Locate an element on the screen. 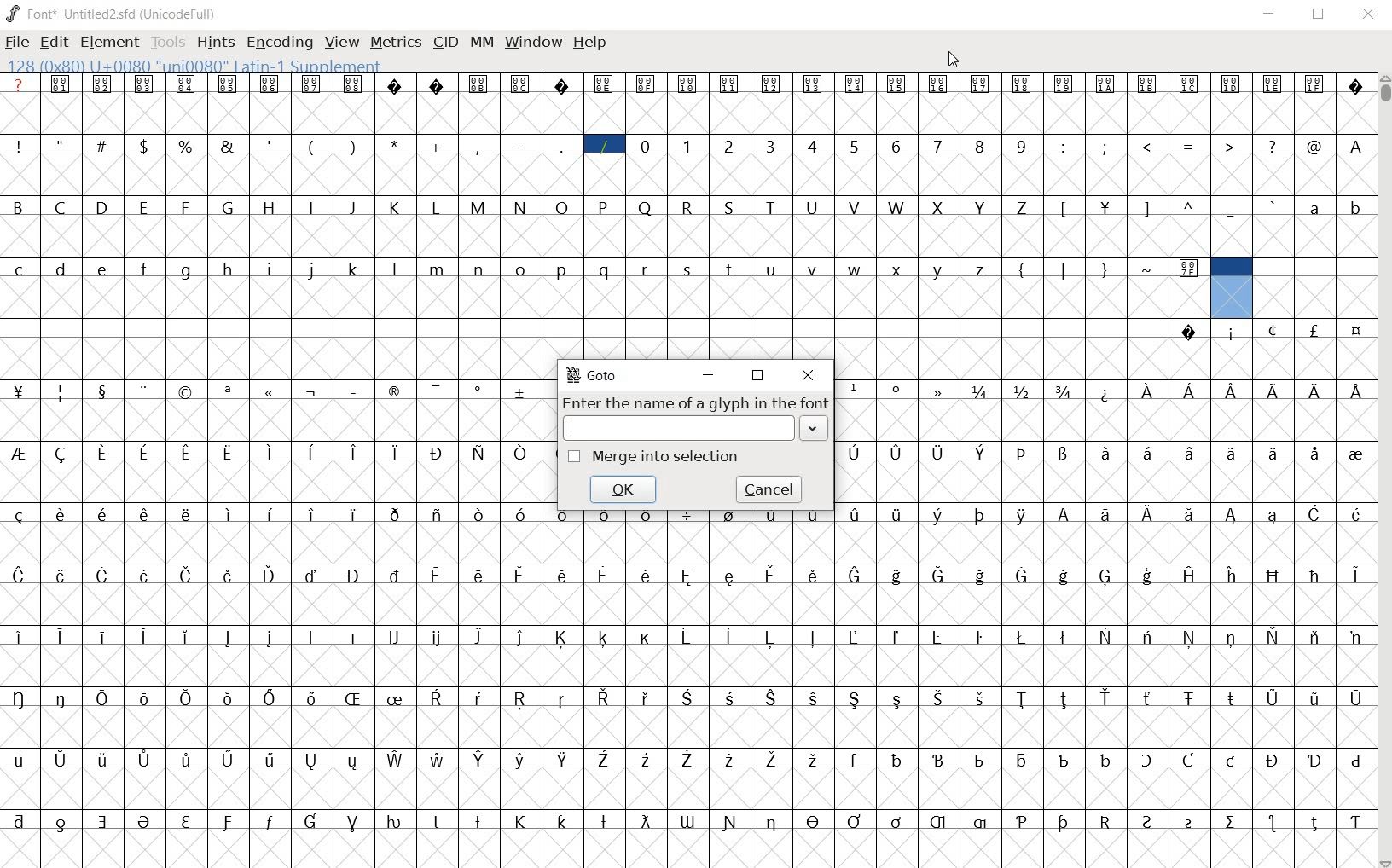  Symbol is located at coordinates (1230, 821).